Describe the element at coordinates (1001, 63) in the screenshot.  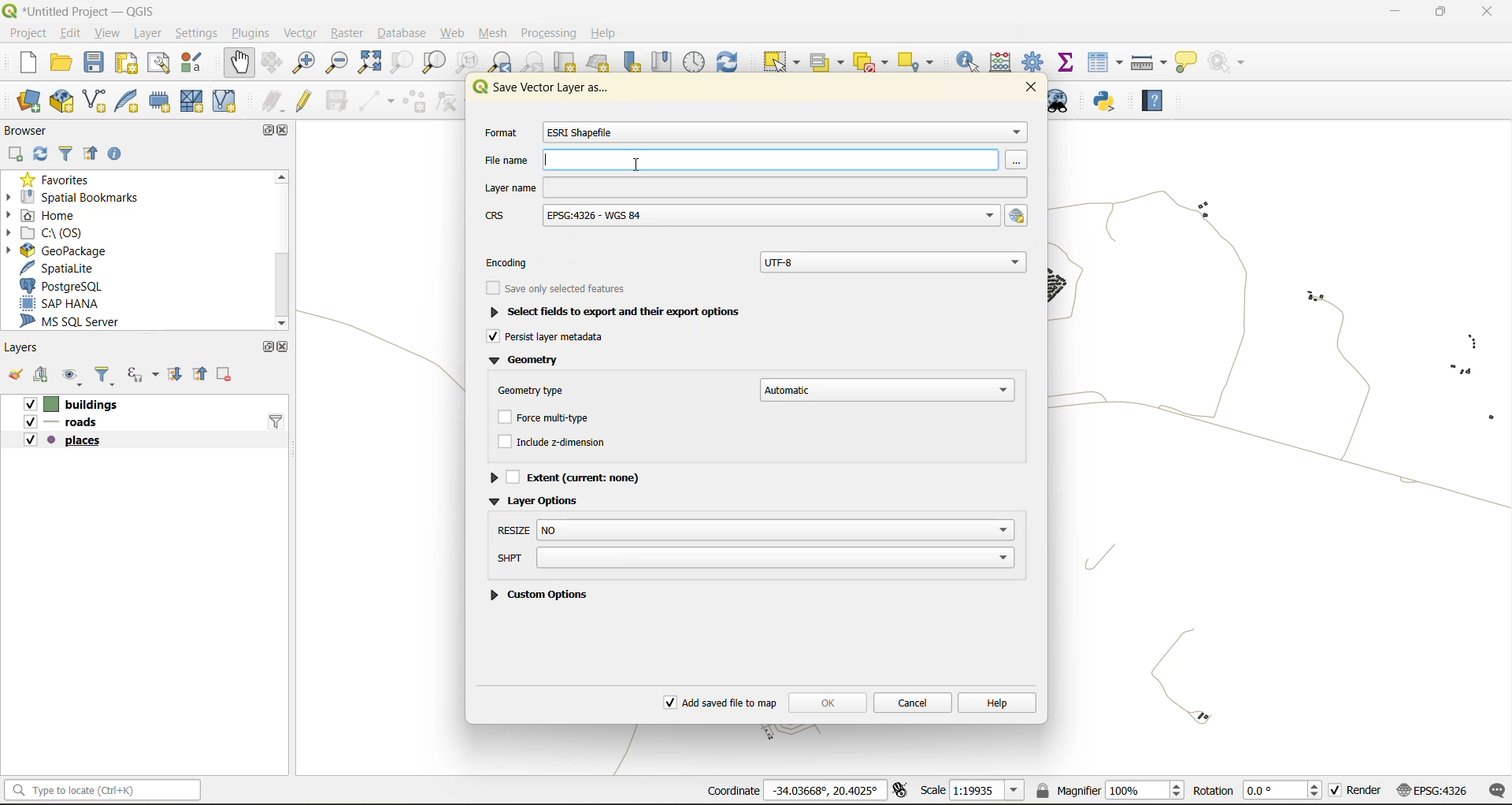
I see `calculator` at that location.